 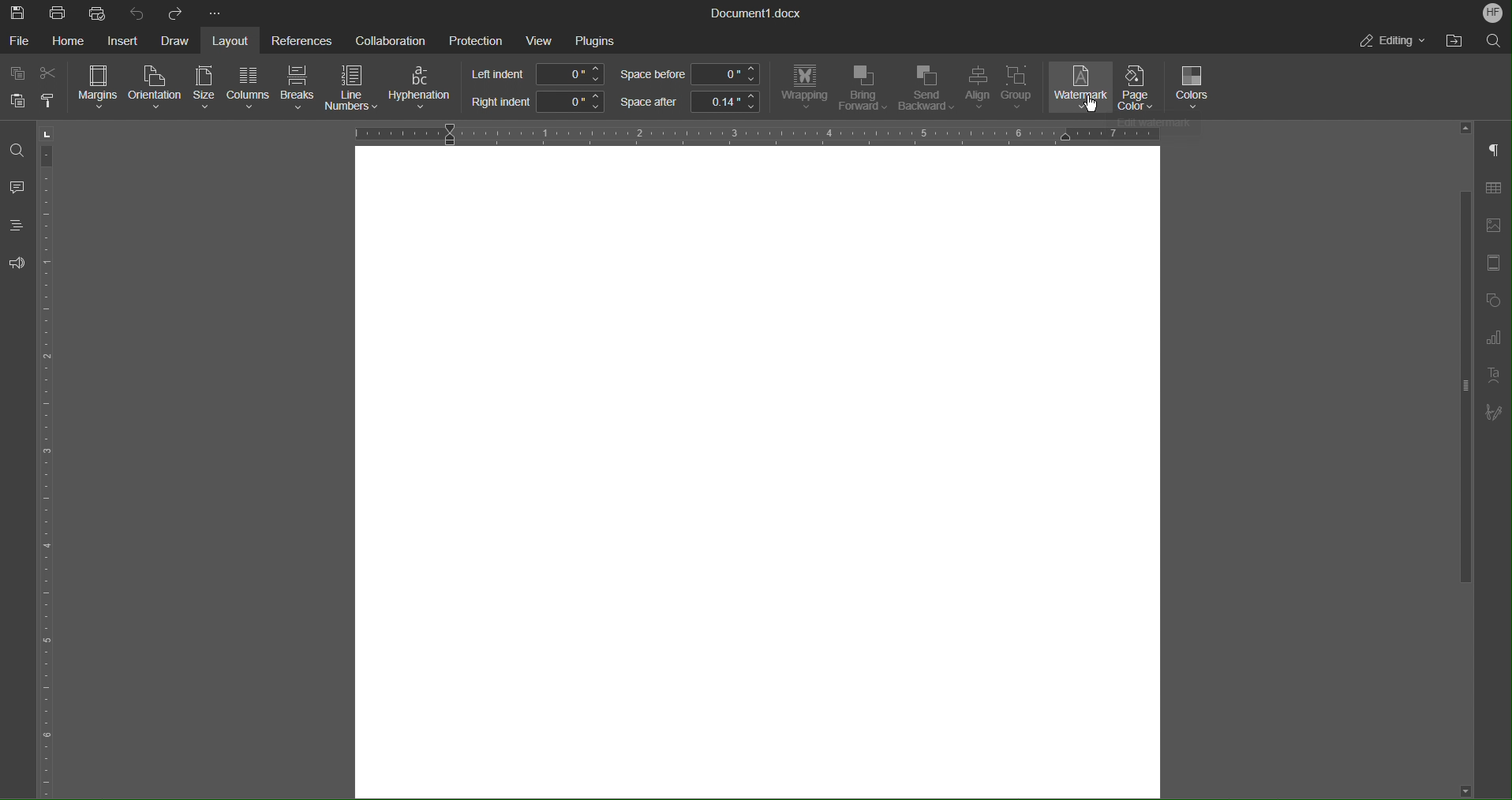 I want to click on Insert, so click(x=122, y=41).